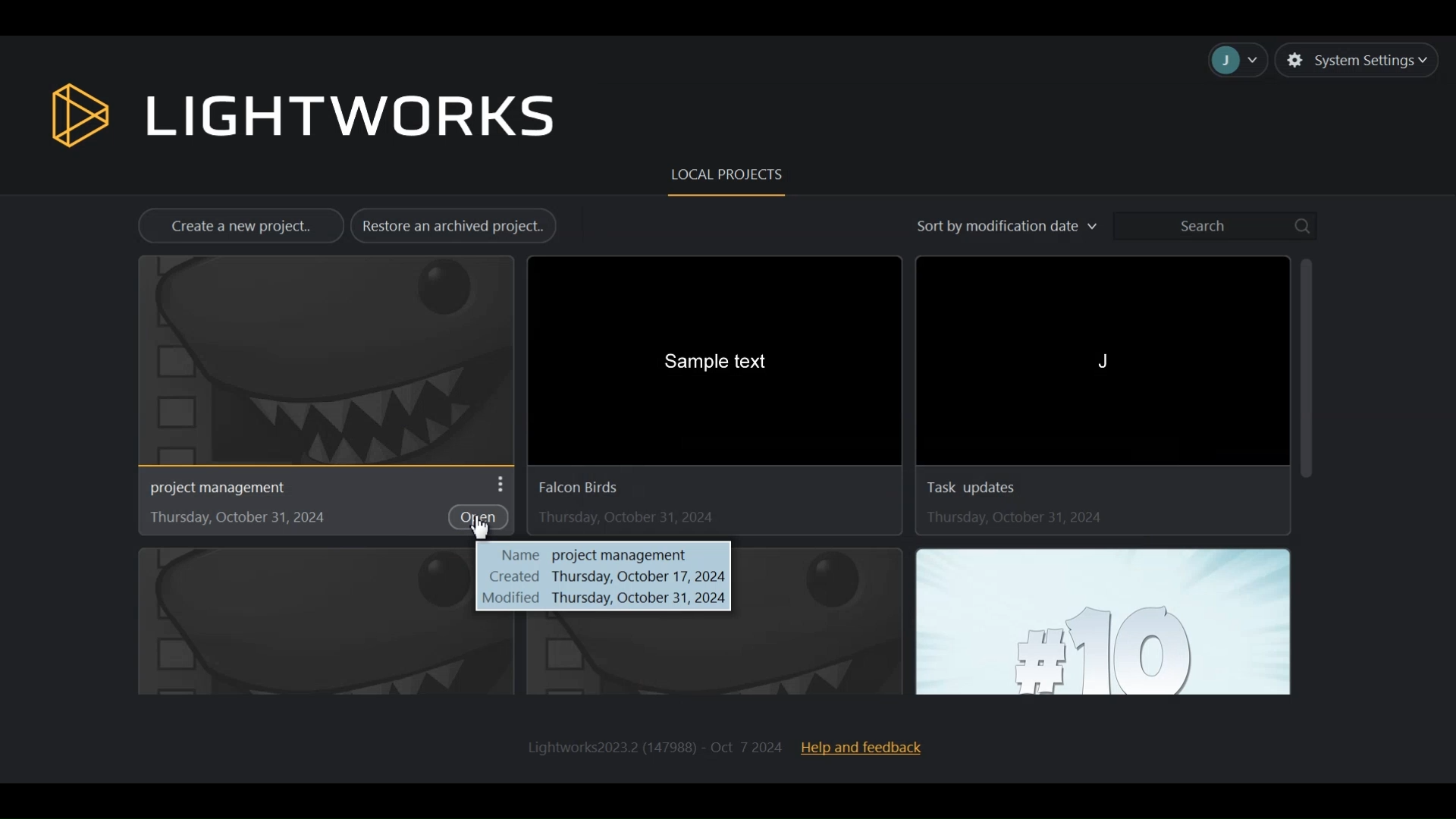 The width and height of the screenshot is (1456, 819). Describe the element at coordinates (251, 517) in the screenshot. I see `Thursday` at that location.